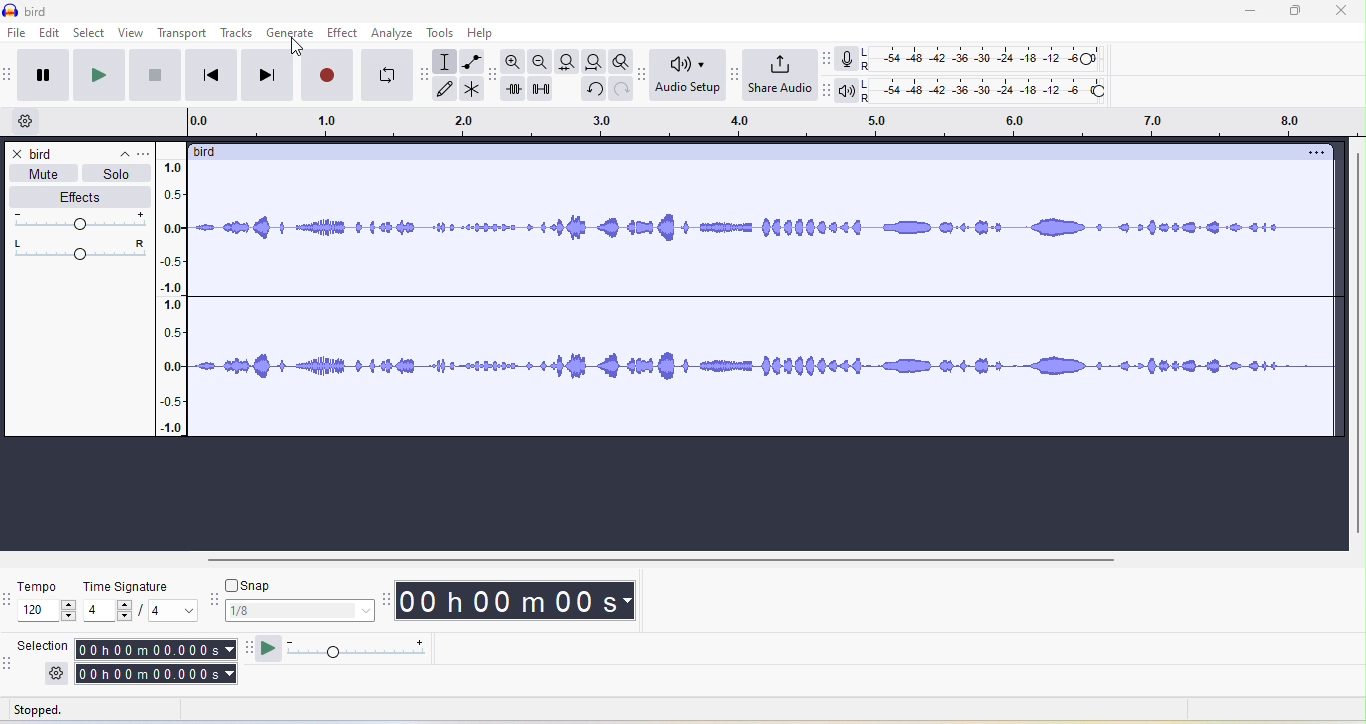 Image resolution: width=1366 pixels, height=724 pixels. Describe the element at coordinates (78, 250) in the screenshot. I see `pan:  center` at that location.